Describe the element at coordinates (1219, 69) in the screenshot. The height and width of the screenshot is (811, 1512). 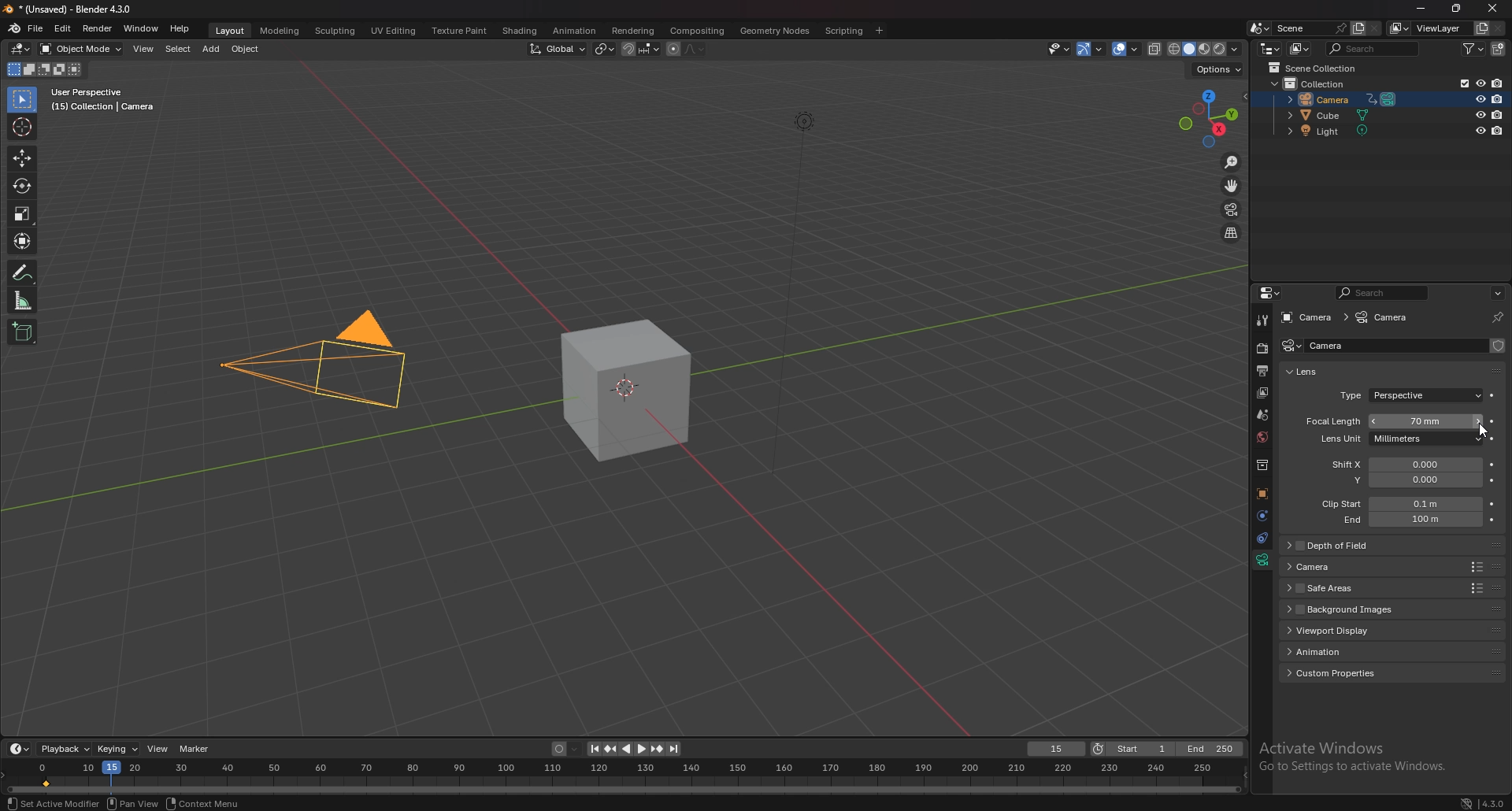
I see `options` at that location.